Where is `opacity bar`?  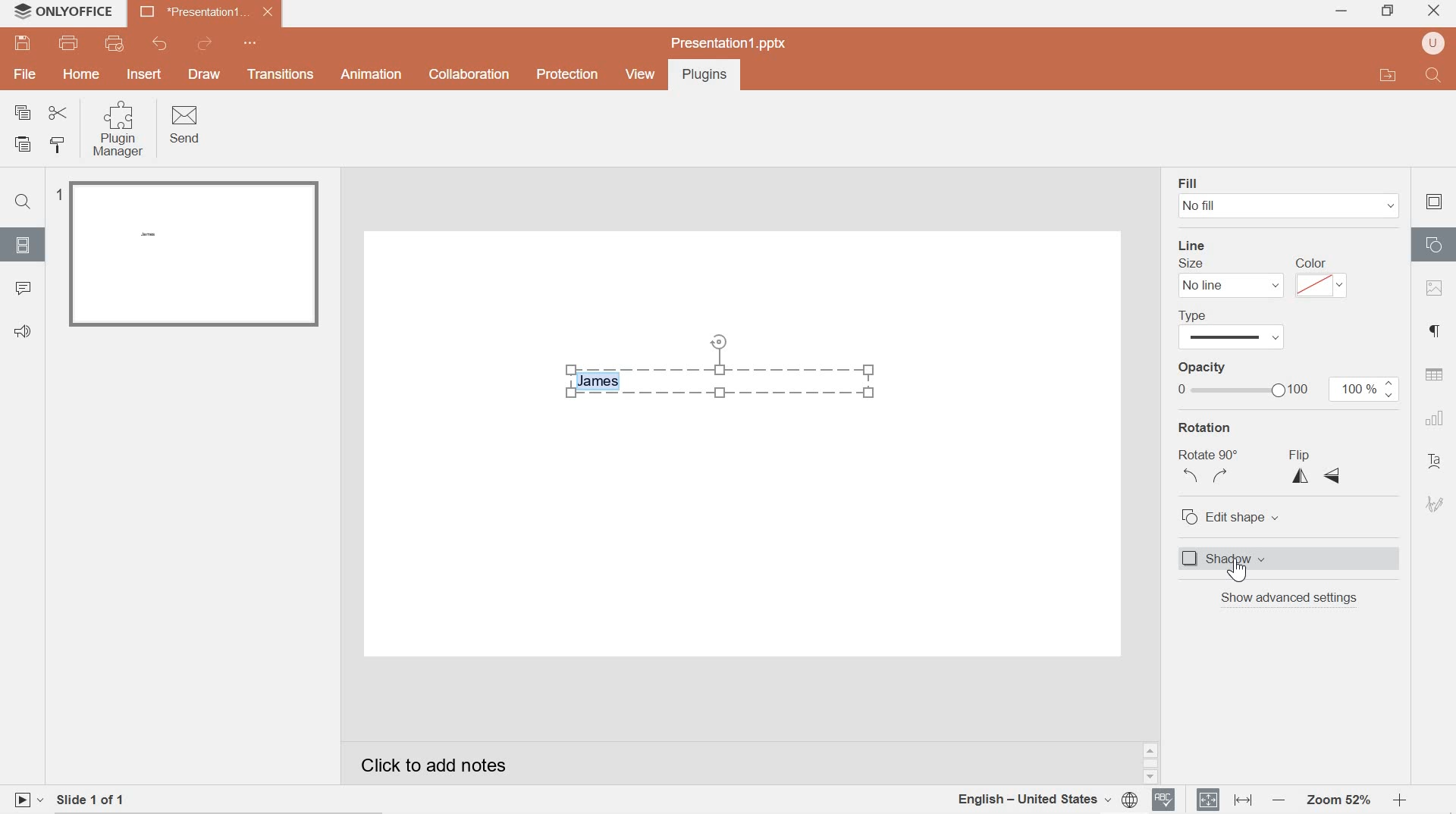 opacity bar is located at coordinates (1240, 391).